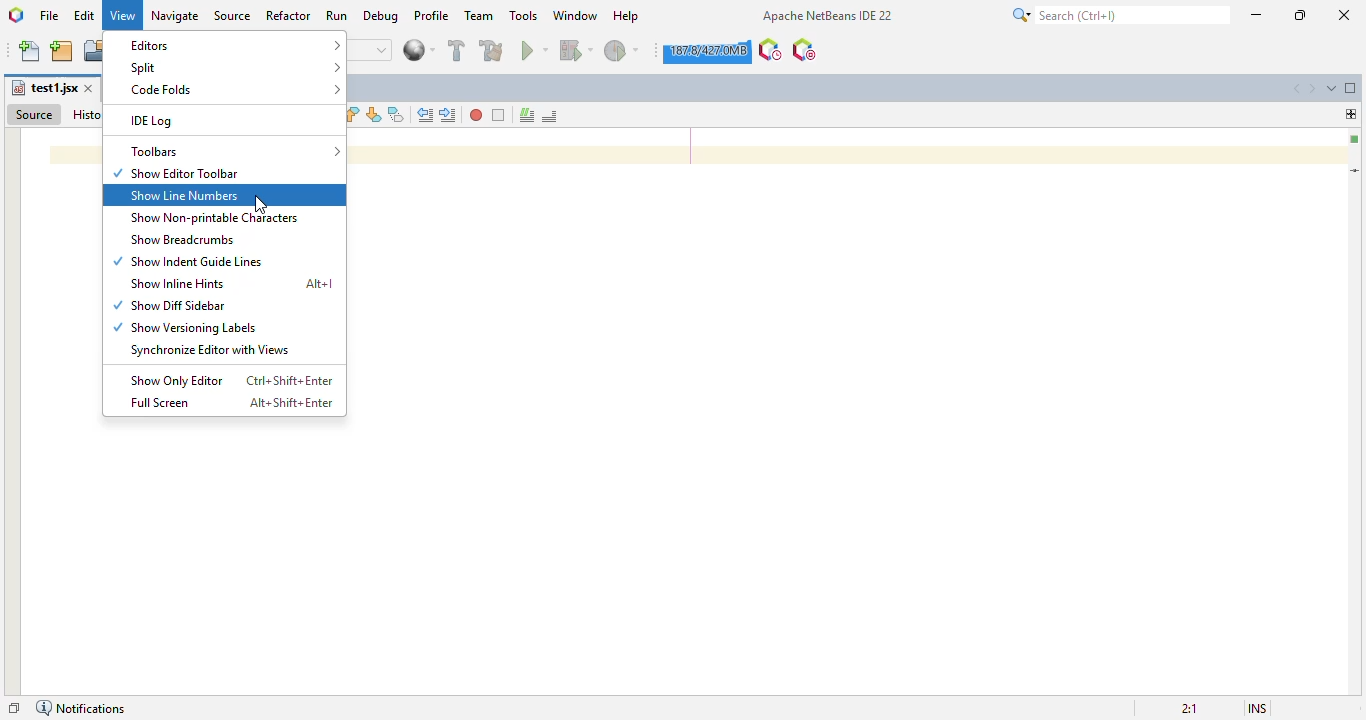 The image size is (1366, 720). Describe the element at coordinates (1120, 15) in the screenshot. I see `search` at that location.